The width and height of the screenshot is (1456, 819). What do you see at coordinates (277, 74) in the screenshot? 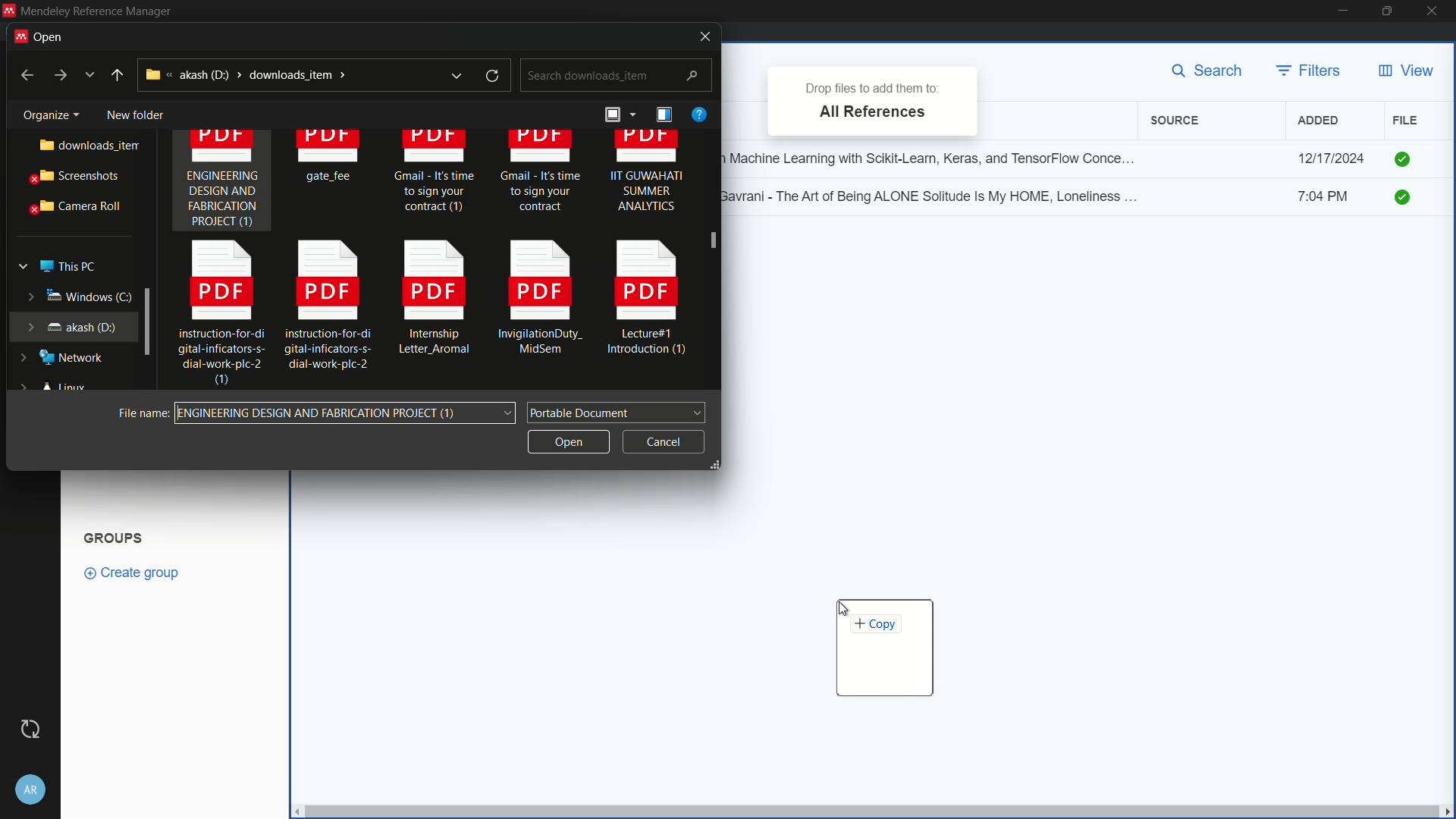
I see `akash (d:) > downloads_item` at bounding box center [277, 74].